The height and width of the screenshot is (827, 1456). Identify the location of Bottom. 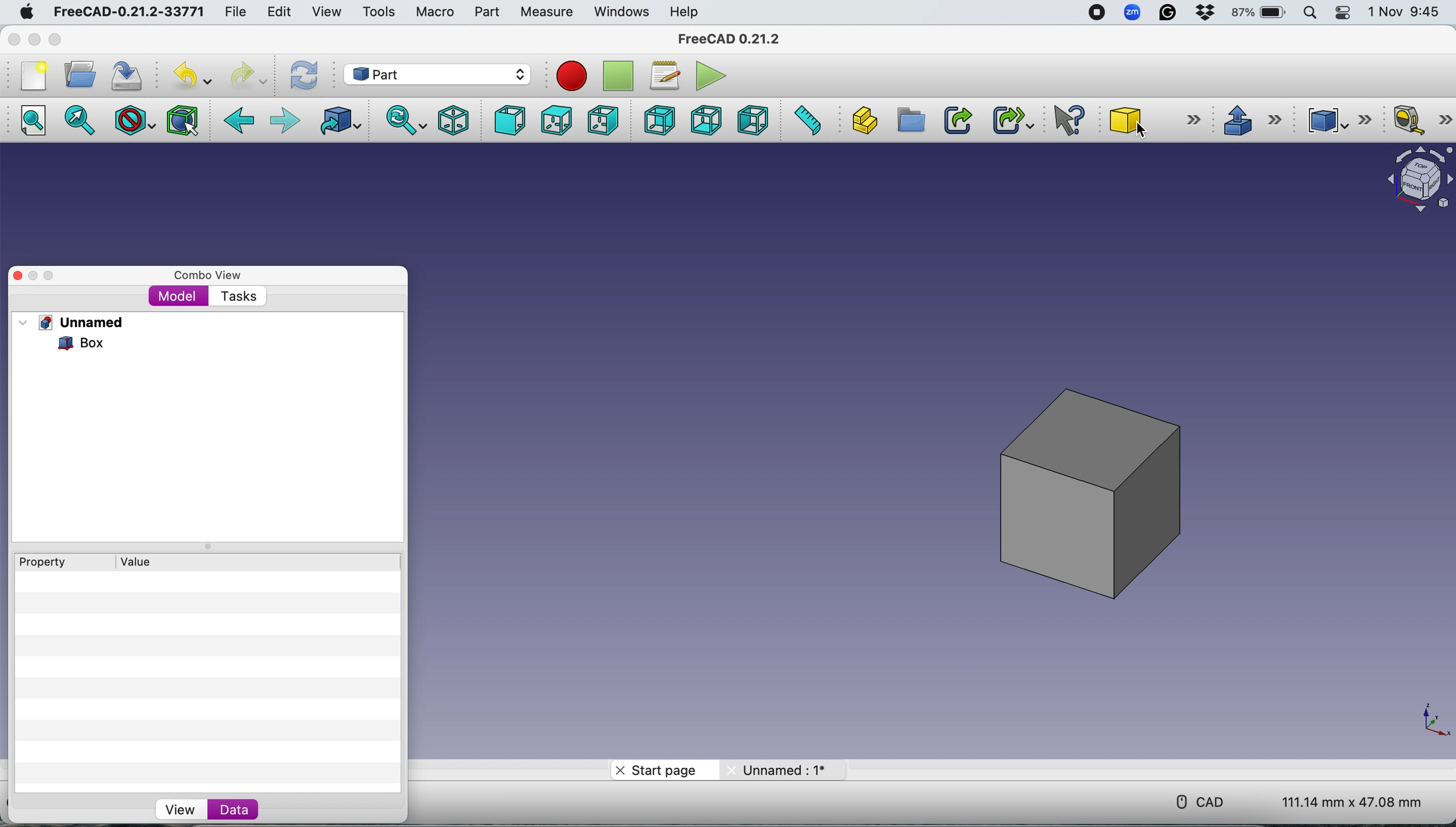
(706, 120).